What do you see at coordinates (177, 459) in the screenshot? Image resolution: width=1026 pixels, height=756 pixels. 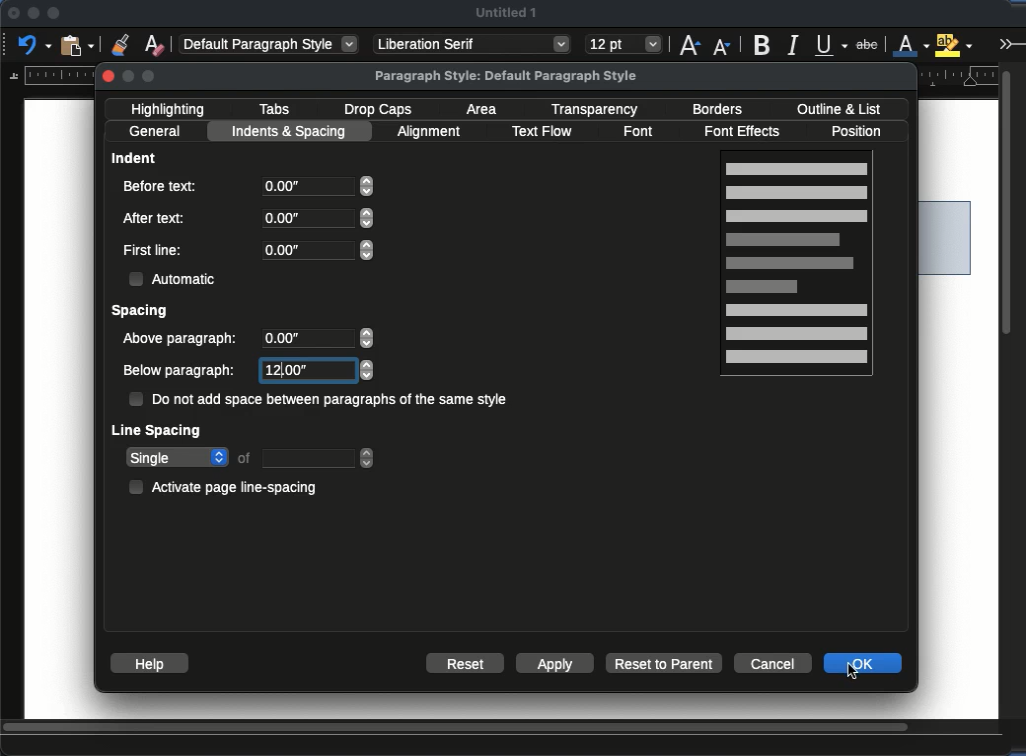 I see `single` at bounding box center [177, 459].